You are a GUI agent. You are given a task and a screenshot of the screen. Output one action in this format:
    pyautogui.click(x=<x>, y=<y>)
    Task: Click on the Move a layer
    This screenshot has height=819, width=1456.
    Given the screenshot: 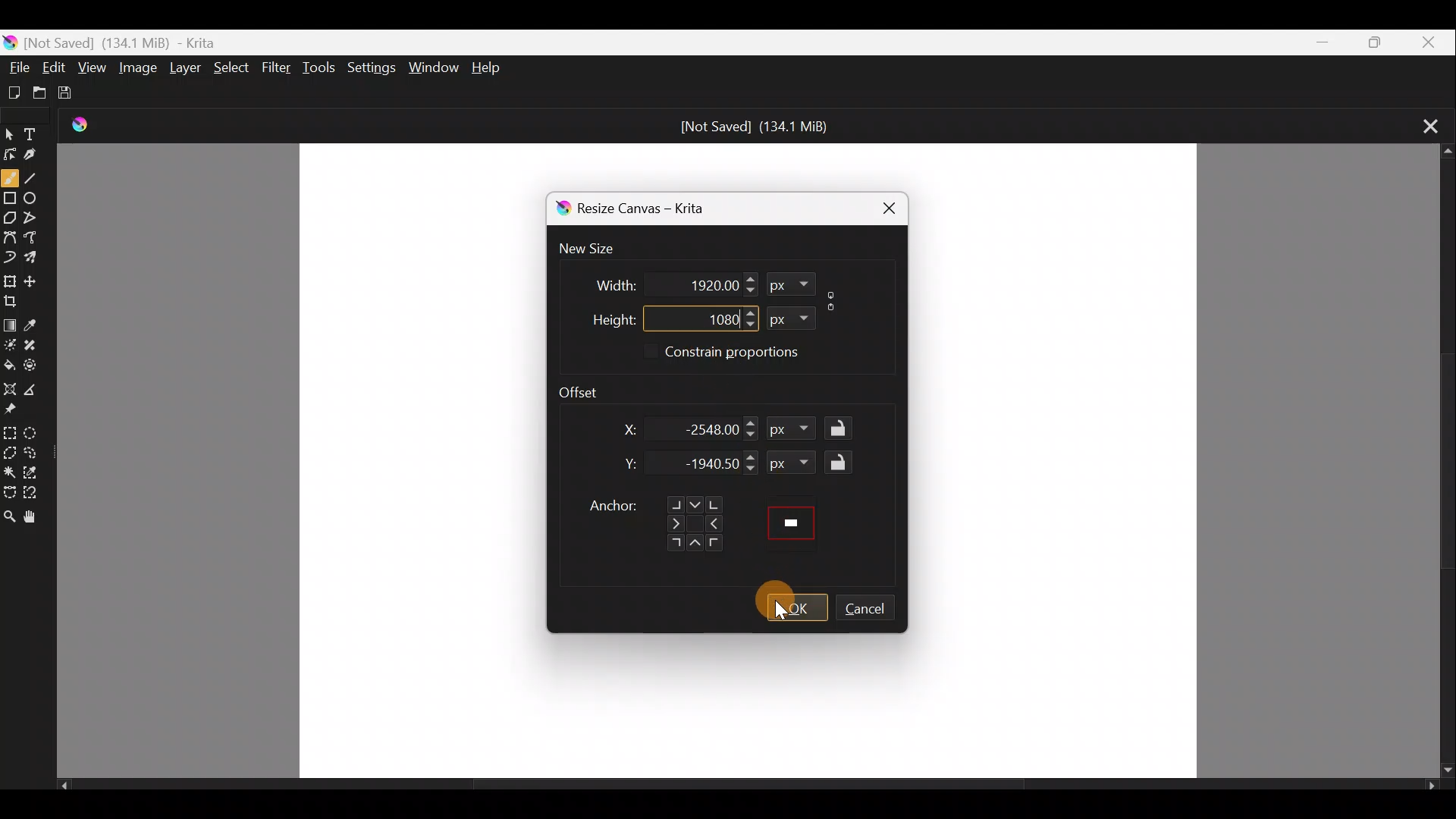 What is the action you would take?
    pyautogui.click(x=36, y=280)
    